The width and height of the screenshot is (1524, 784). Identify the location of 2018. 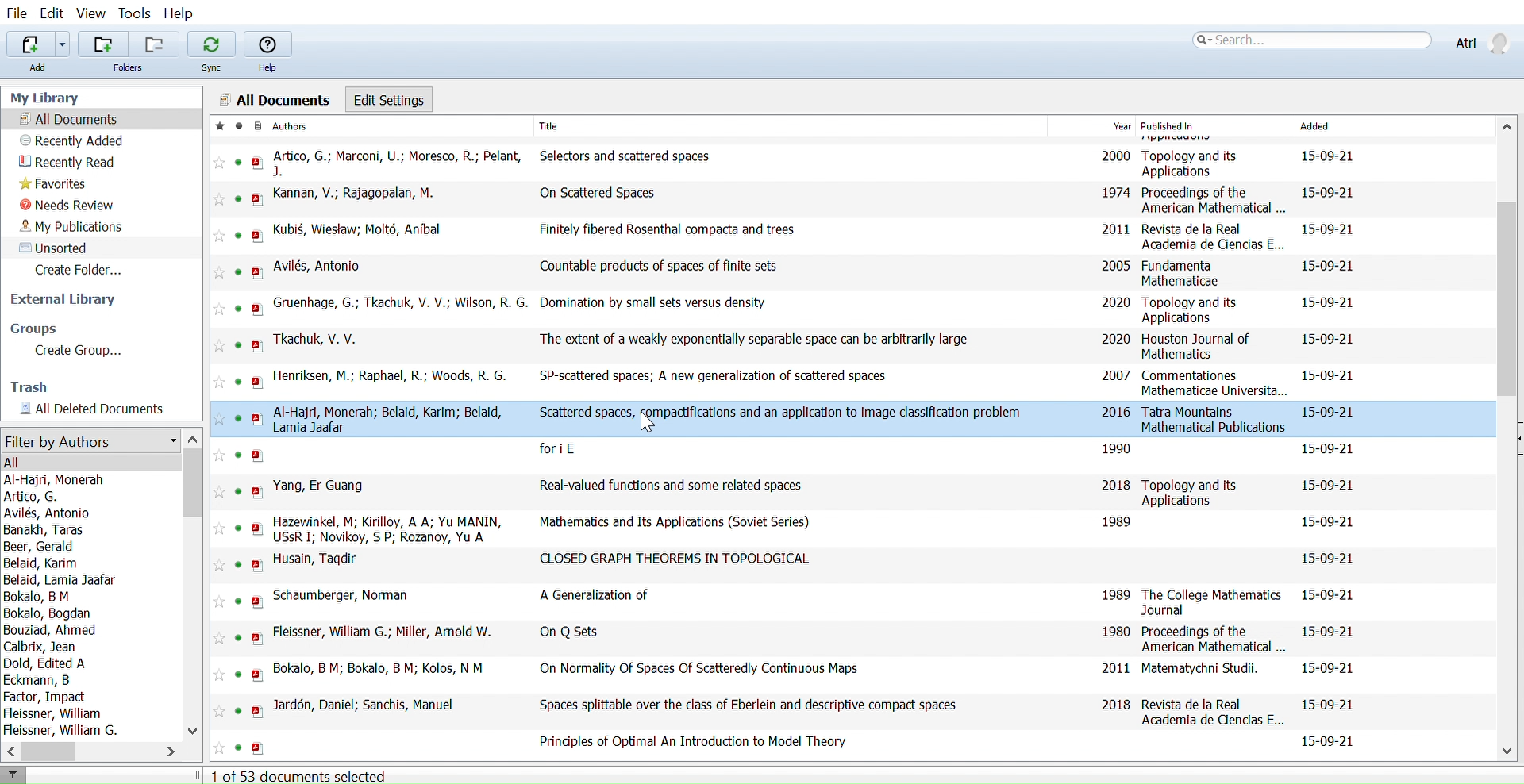
(1114, 486).